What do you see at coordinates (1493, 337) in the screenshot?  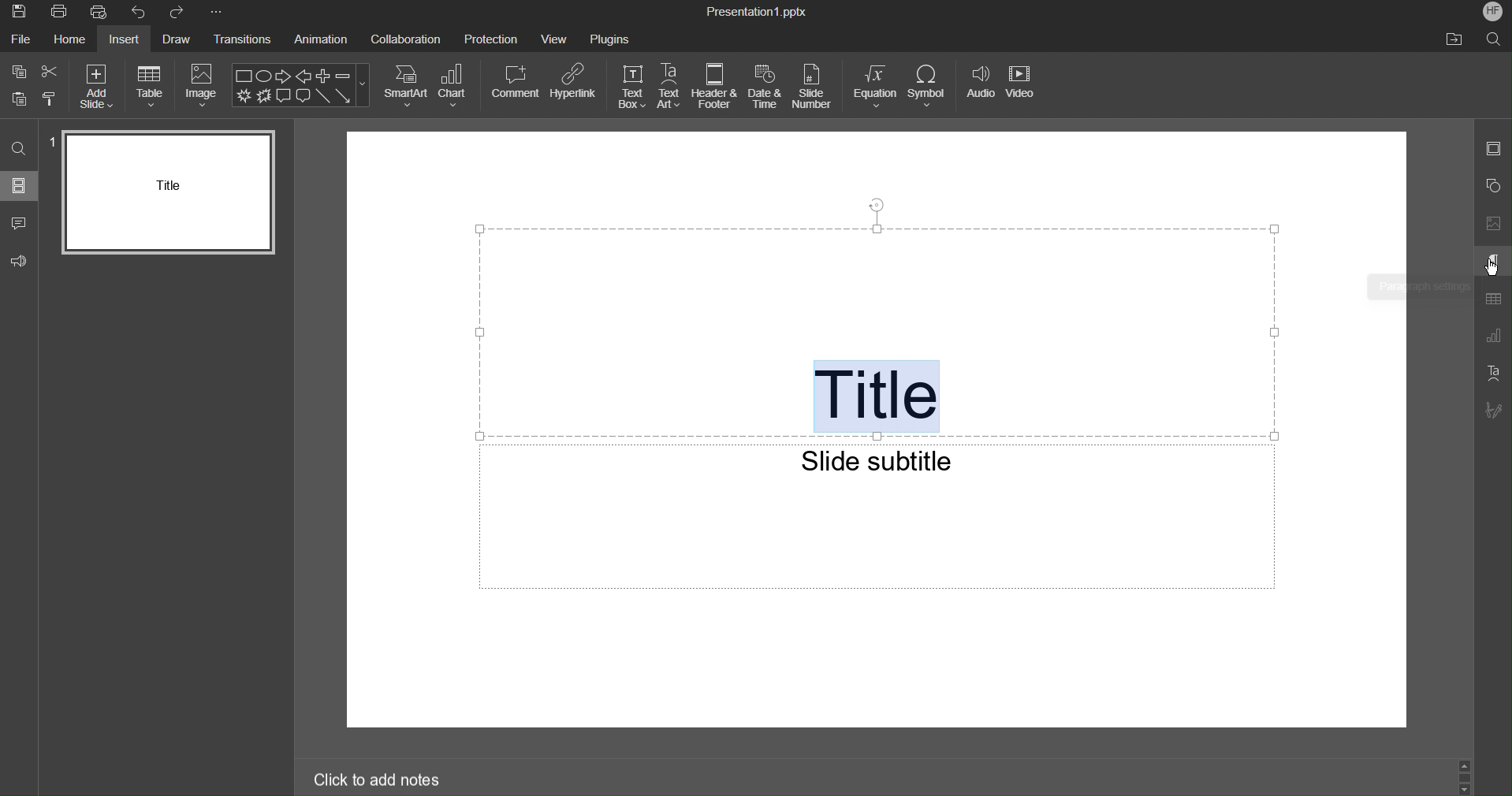 I see `Graph Setting` at bounding box center [1493, 337].